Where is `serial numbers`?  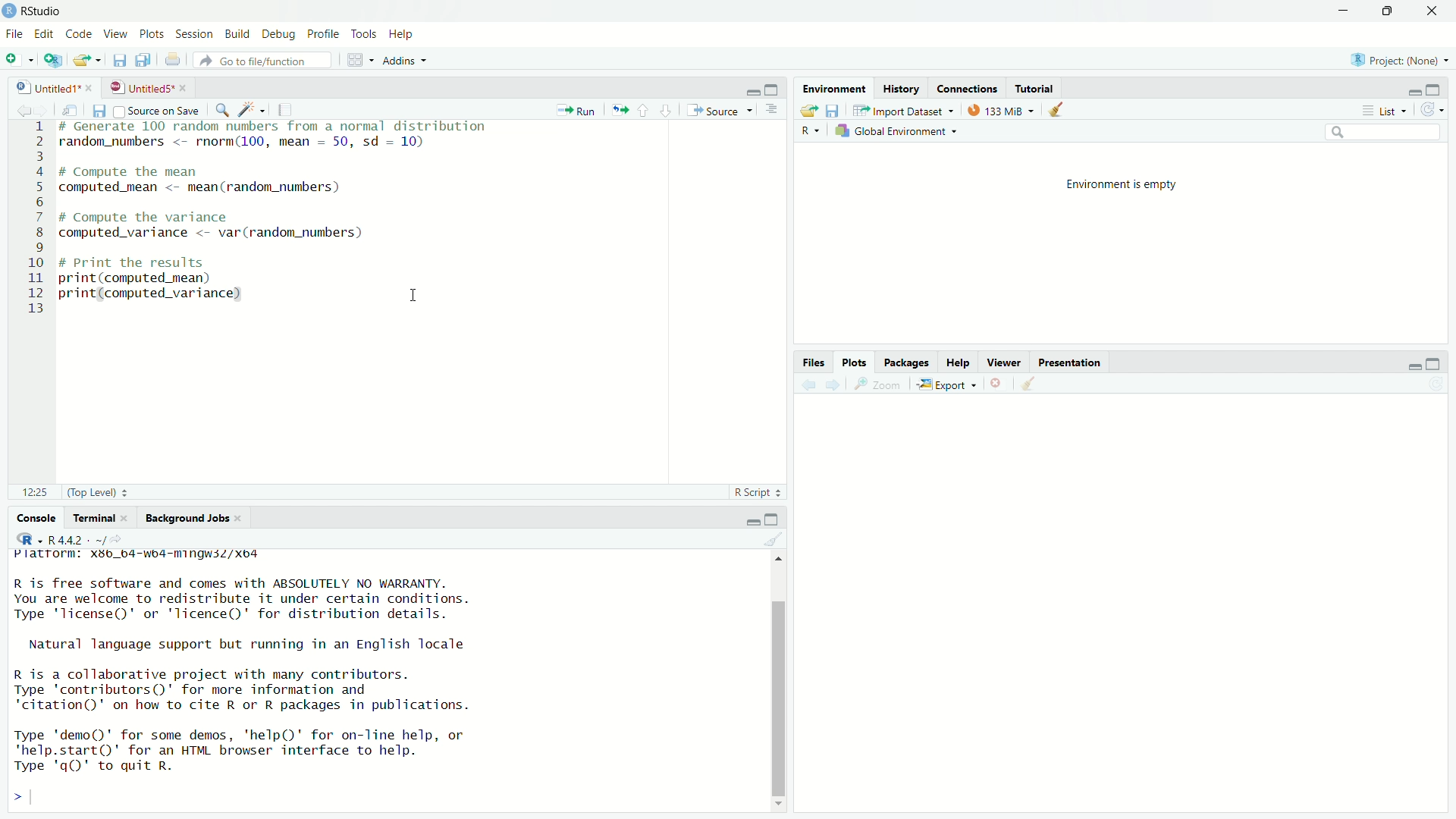
serial numbers is located at coordinates (30, 218).